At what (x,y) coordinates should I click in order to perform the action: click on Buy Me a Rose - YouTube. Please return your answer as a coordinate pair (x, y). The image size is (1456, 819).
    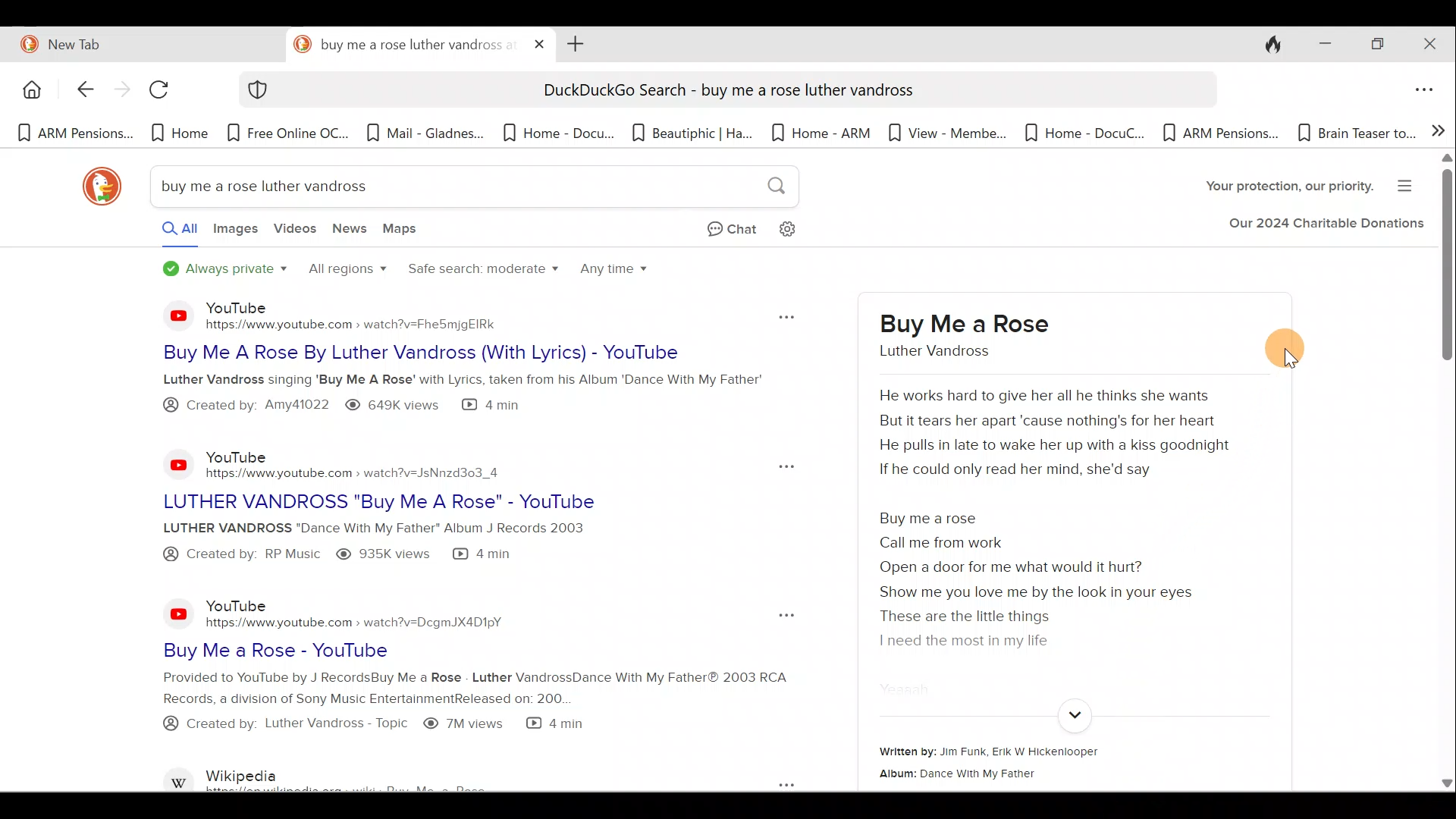
    Looking at the image, I should click on (397, 650).